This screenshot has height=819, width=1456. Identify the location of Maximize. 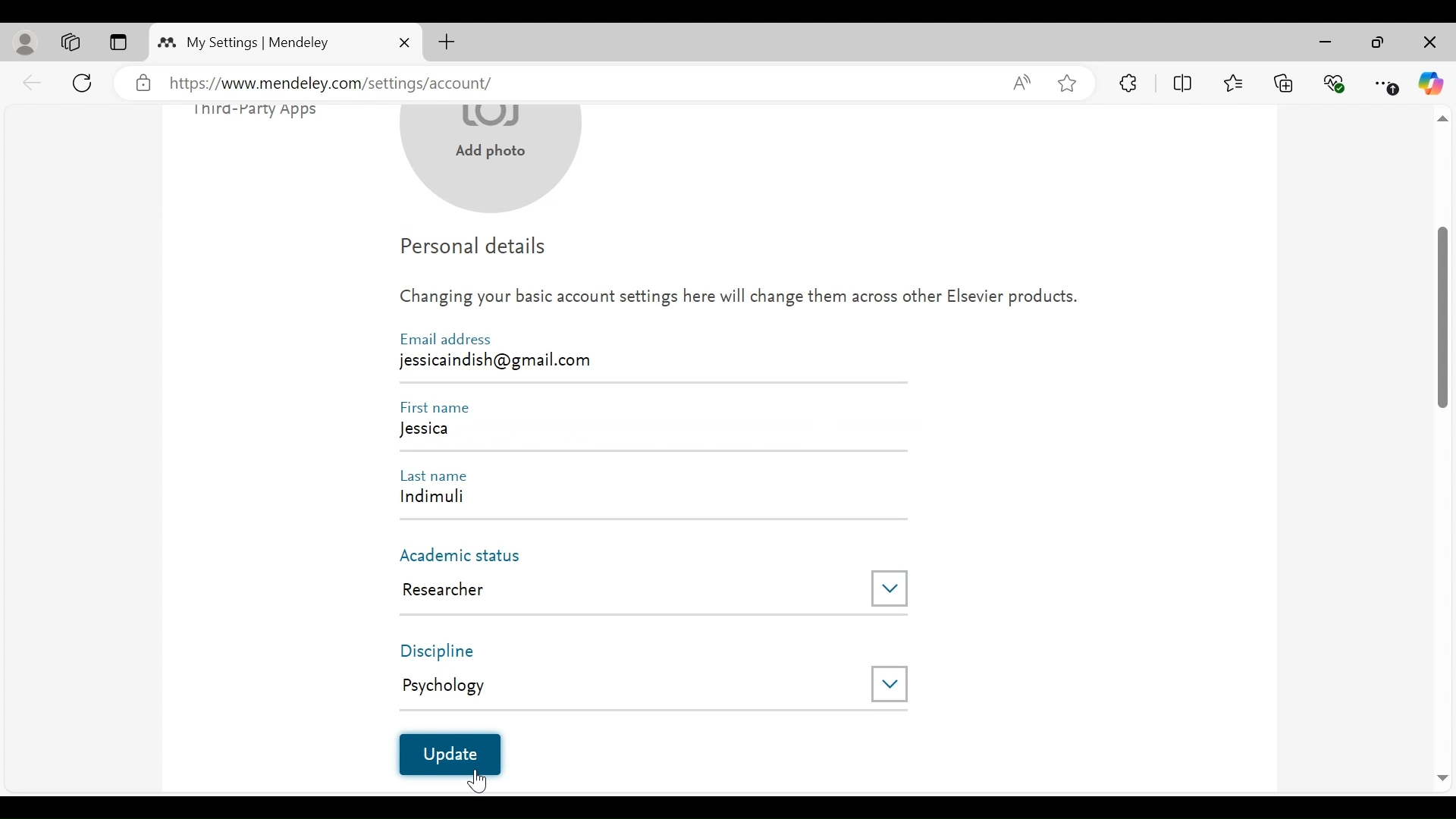
(1378, 44).